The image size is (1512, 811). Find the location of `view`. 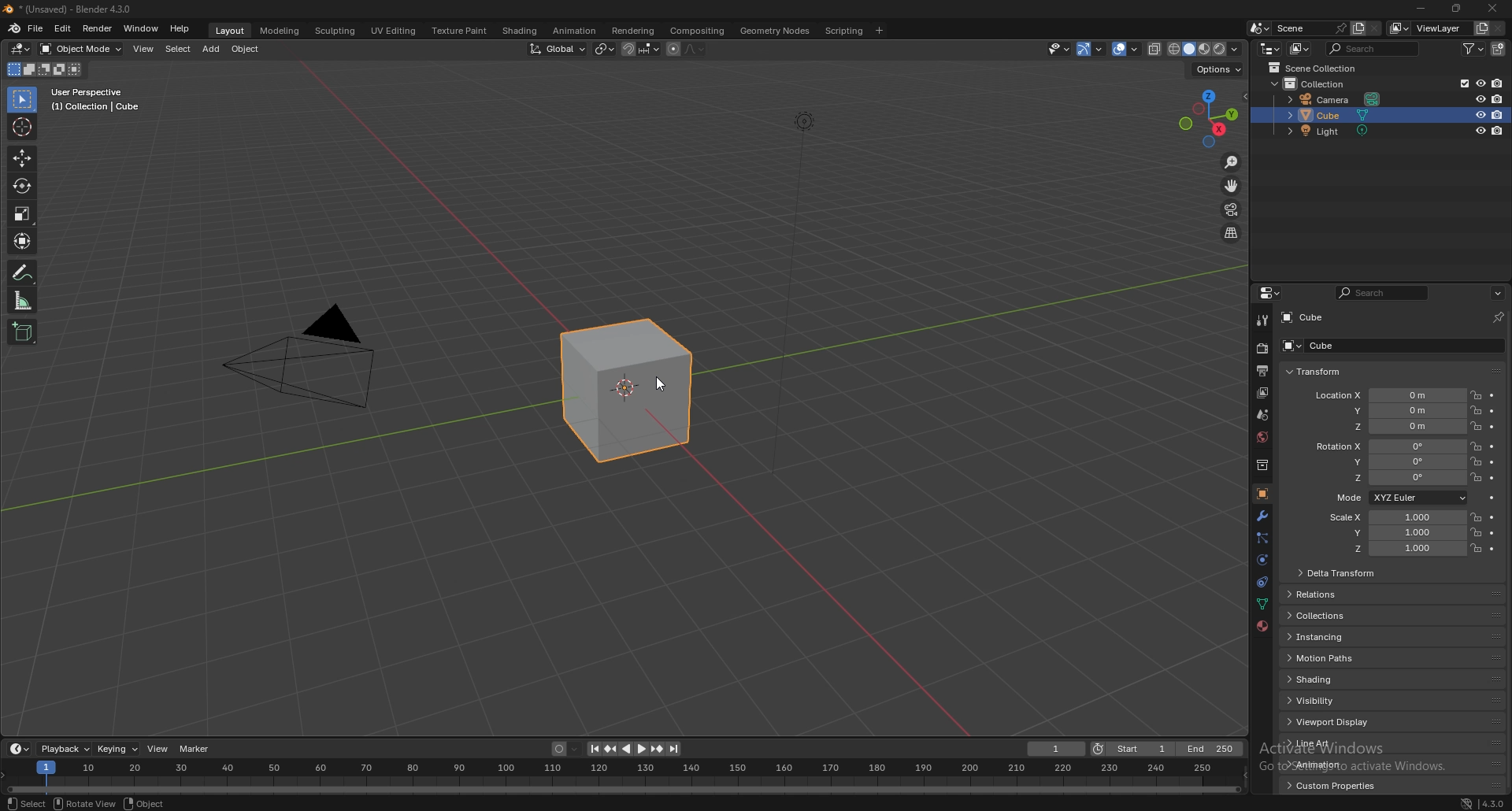

view is located at coordinates (159, 749).